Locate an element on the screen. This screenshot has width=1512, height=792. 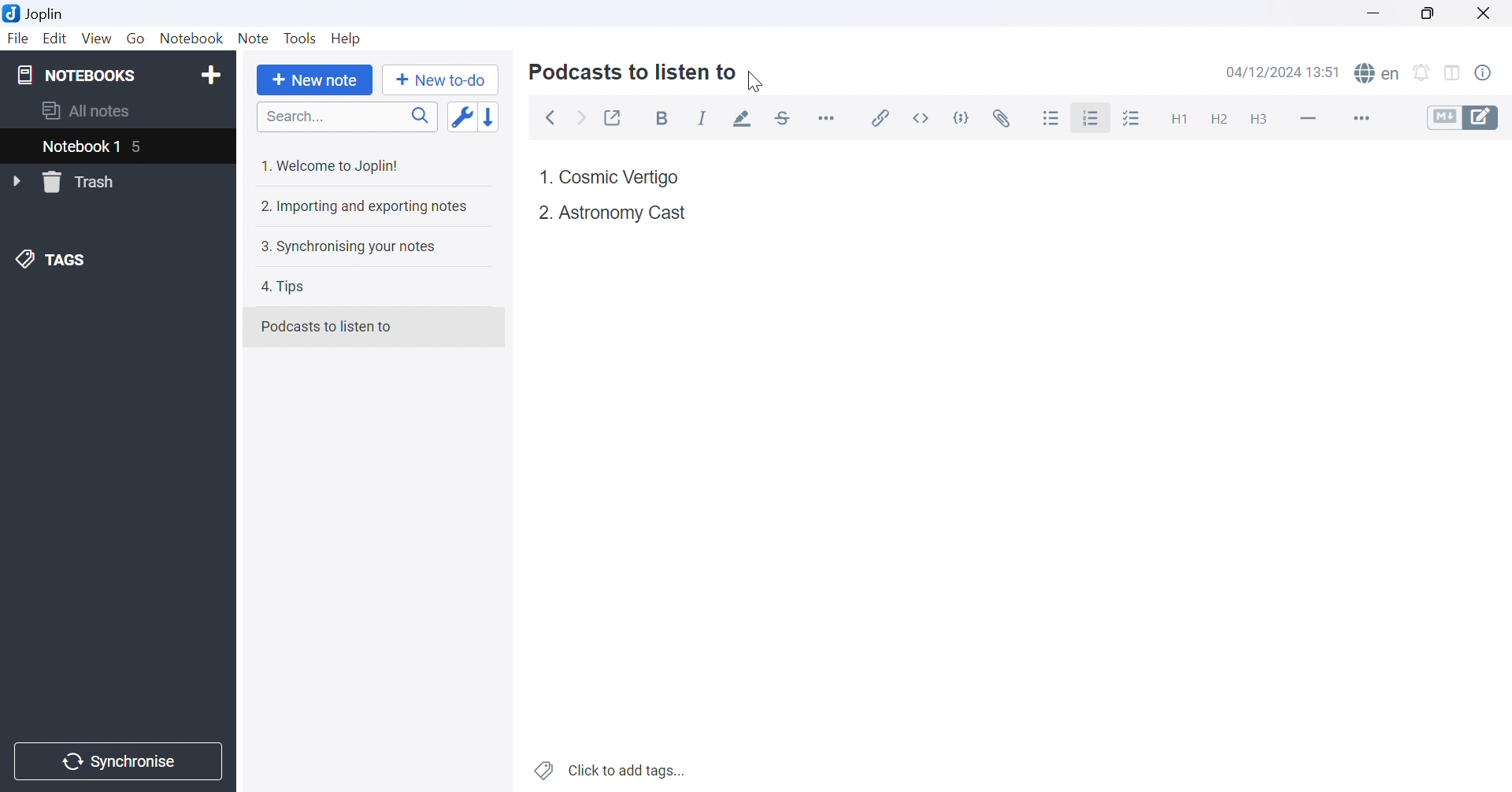
Horizontal lines is located at coordinates (1308, 117).